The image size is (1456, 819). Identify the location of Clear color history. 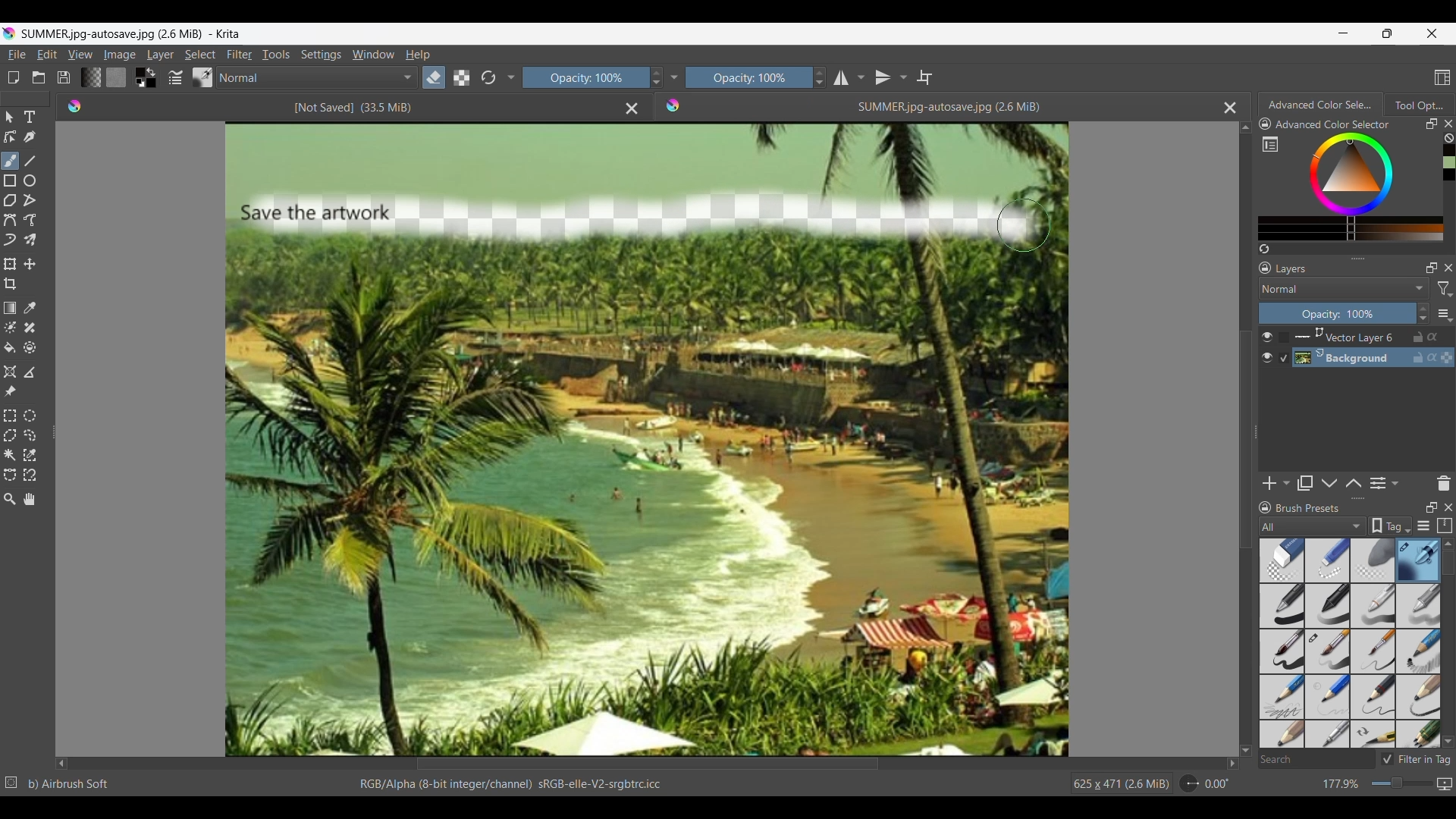
(1448, 138).